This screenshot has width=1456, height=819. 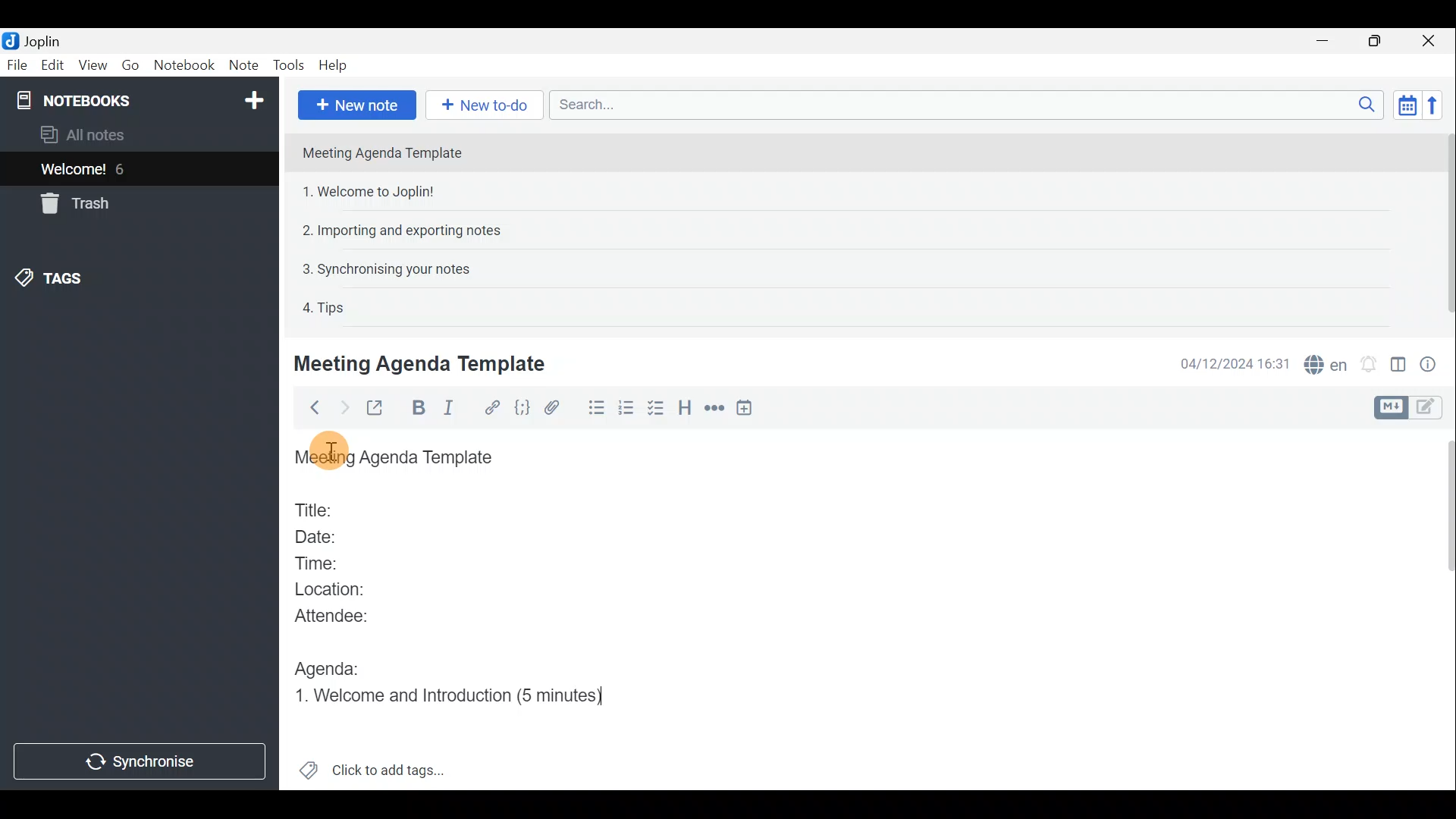 I want to click on Note, so click(x=242, y=62).